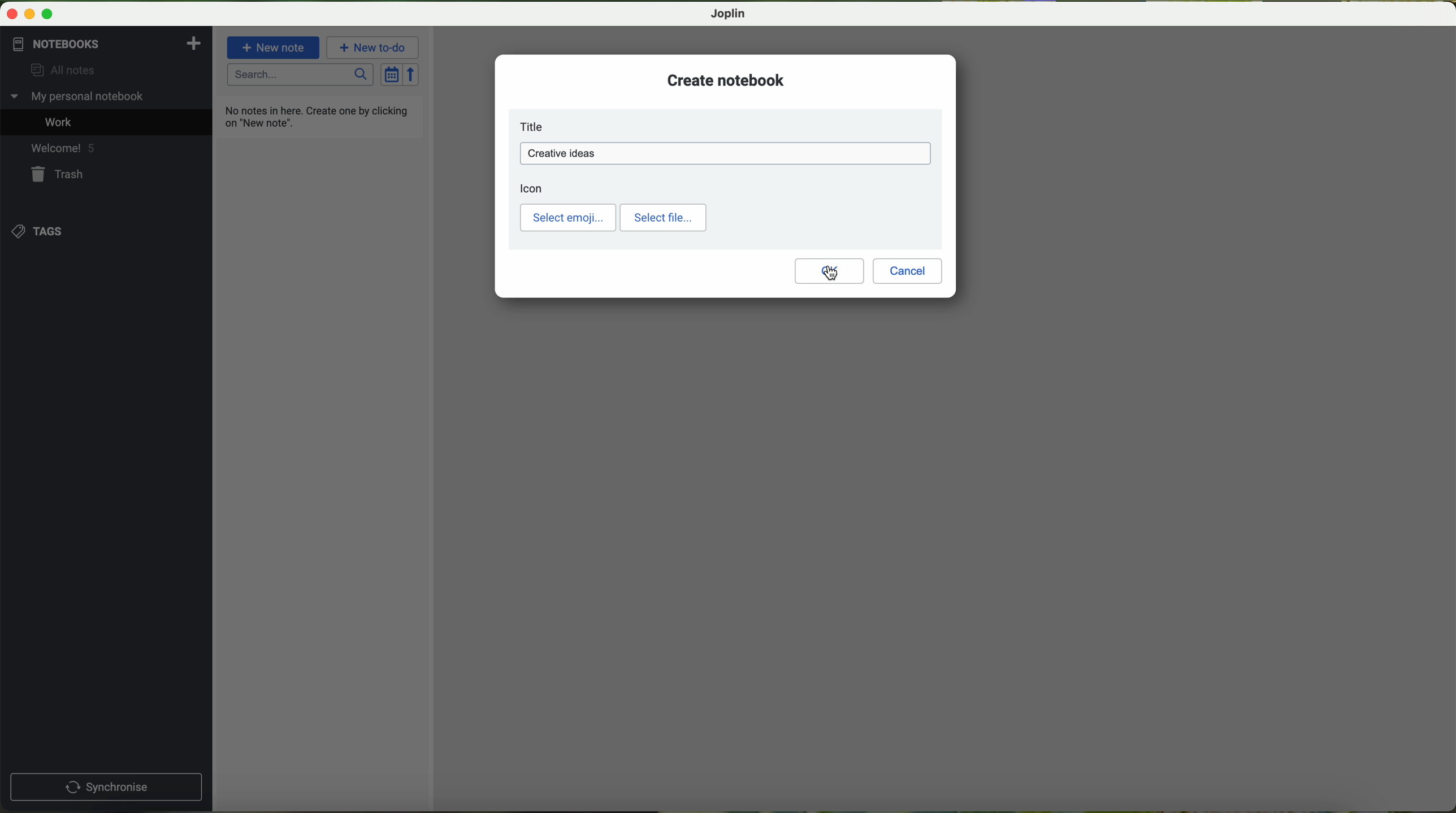 This screenshot has width=1456, height=813. Describe the element at coordinates (80, 97) in the screenshot. I see `my personal notebook` at that location.